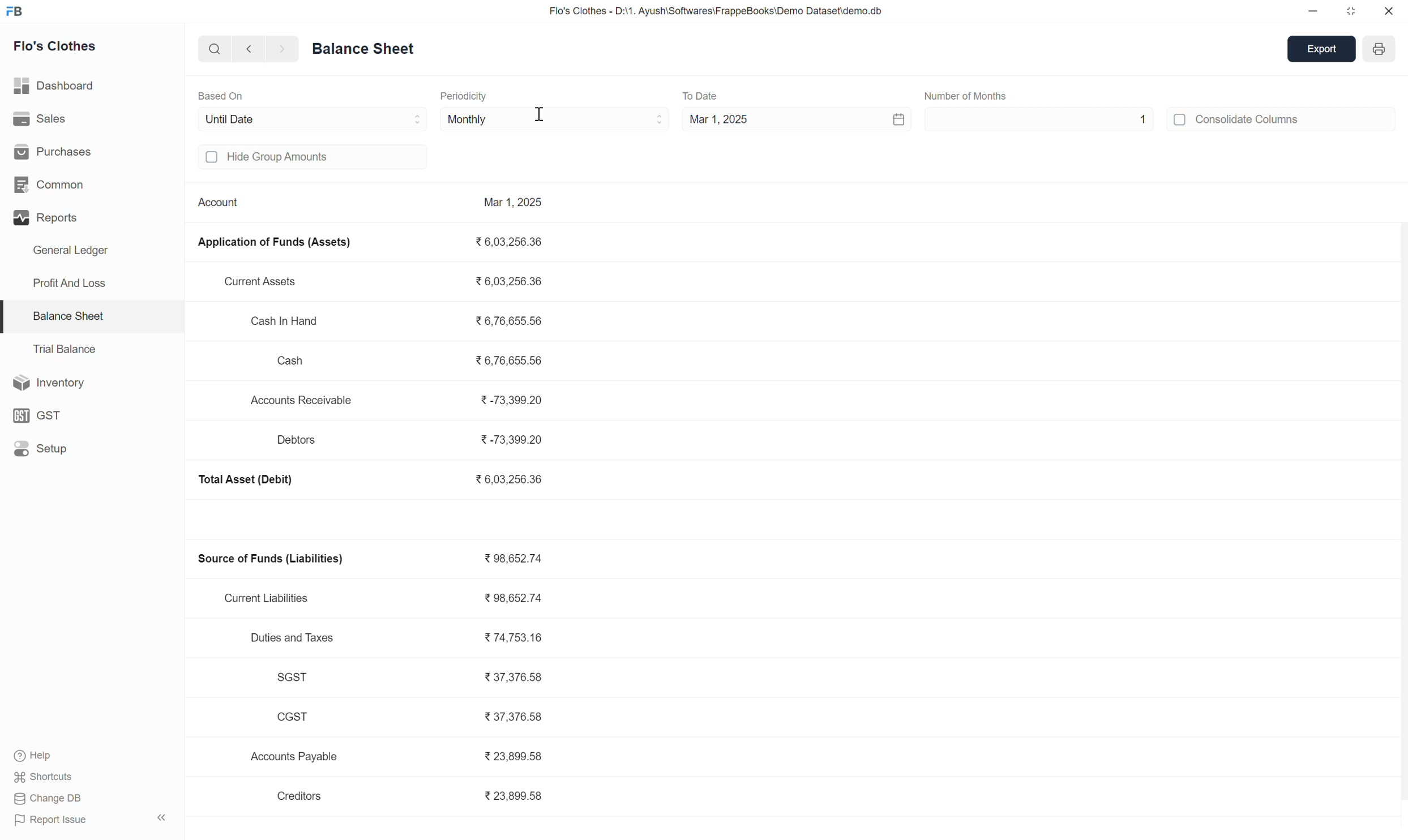  What do you see at coordinates (65, 186) in the screenshot?
I see `Common` at bounding box center [65, 186].